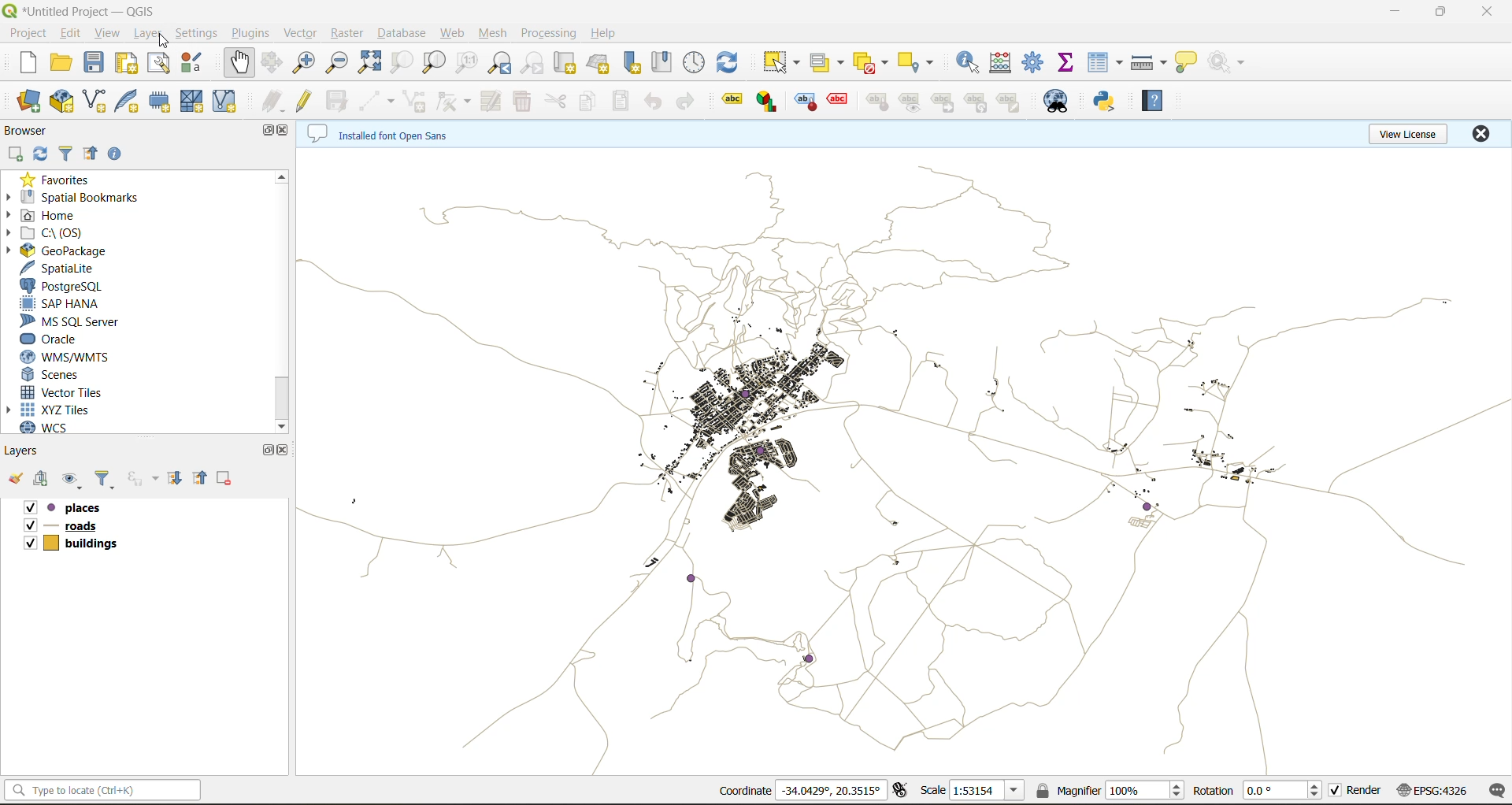  What do you see at coordinates (165, 44) in the screenshot?
I see `cursor` at bounding box center [165, 44].